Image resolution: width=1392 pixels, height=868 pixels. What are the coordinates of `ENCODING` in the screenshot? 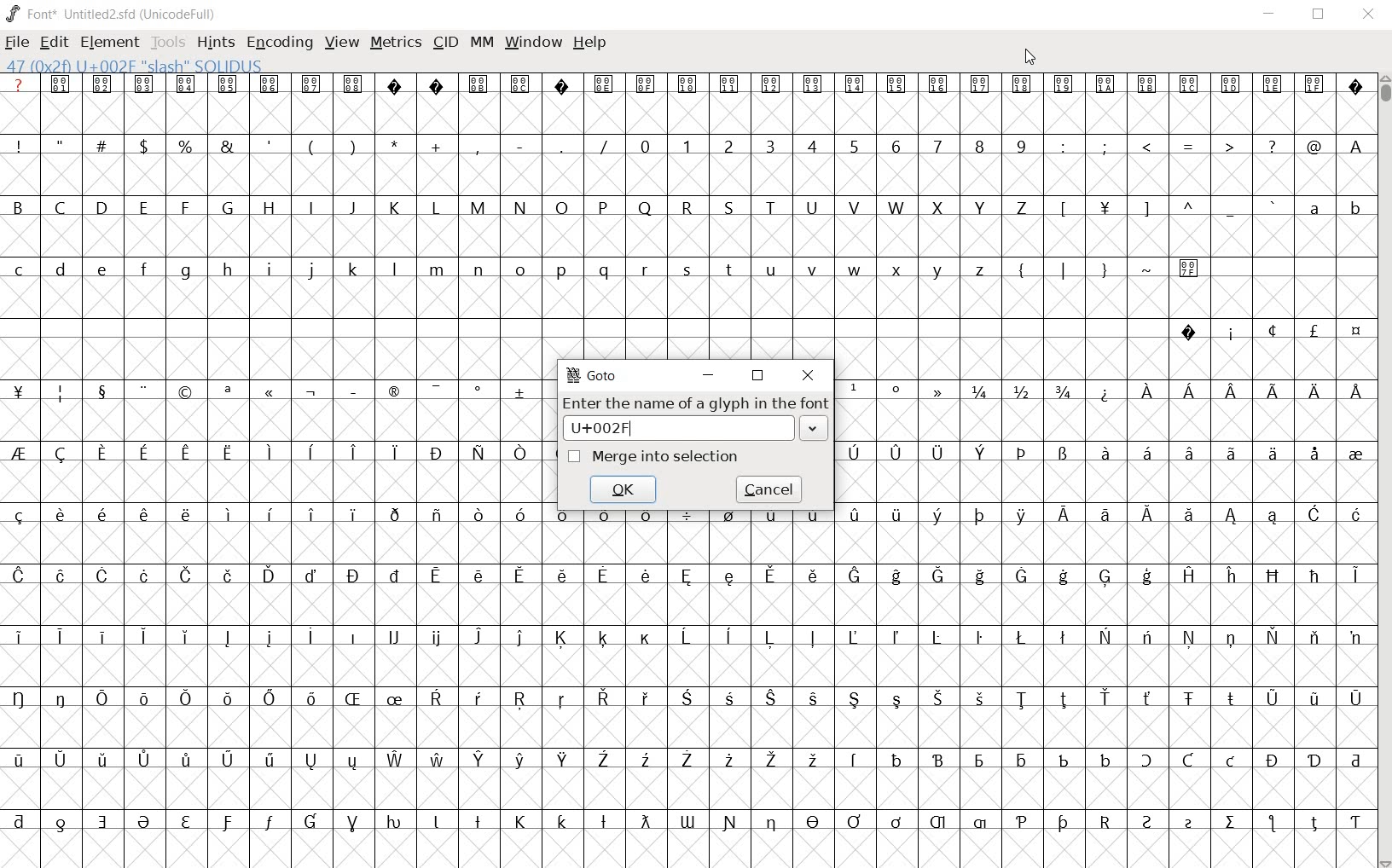 It's located at (279, 43).